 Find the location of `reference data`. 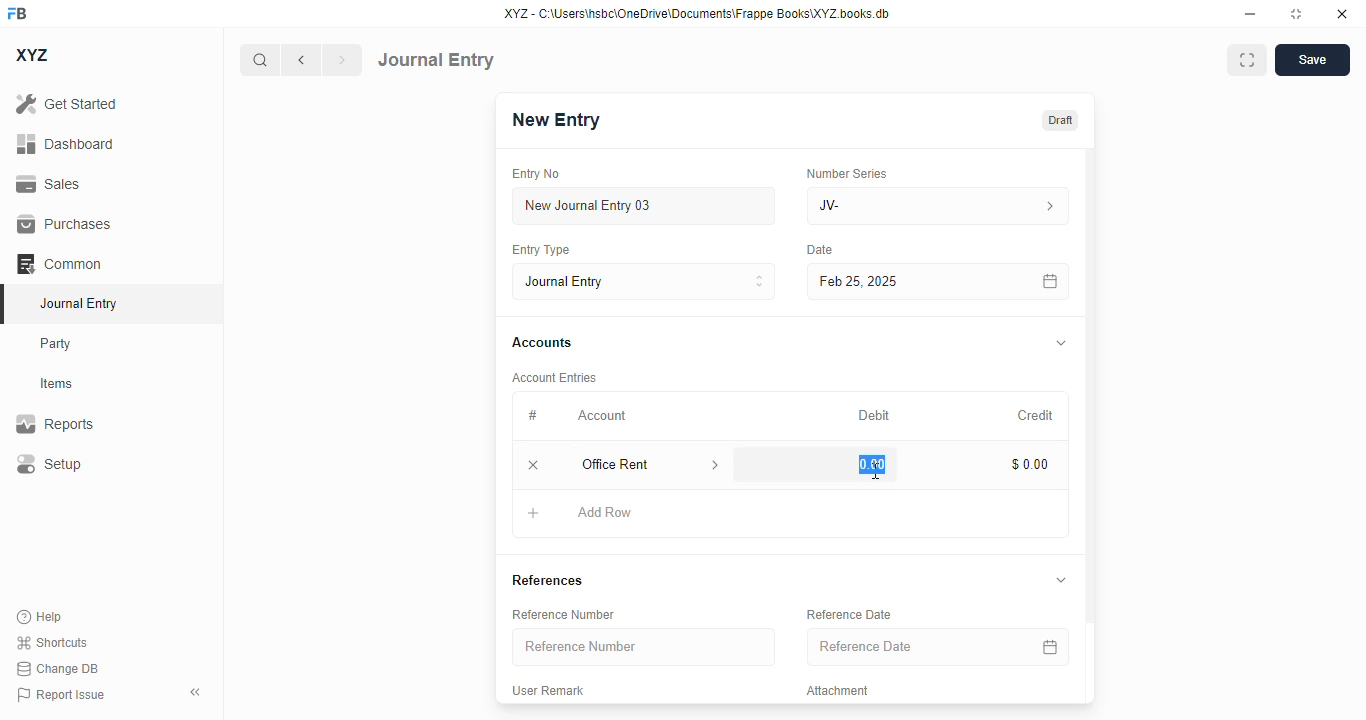

reference data is located at coordinates (849, 614).